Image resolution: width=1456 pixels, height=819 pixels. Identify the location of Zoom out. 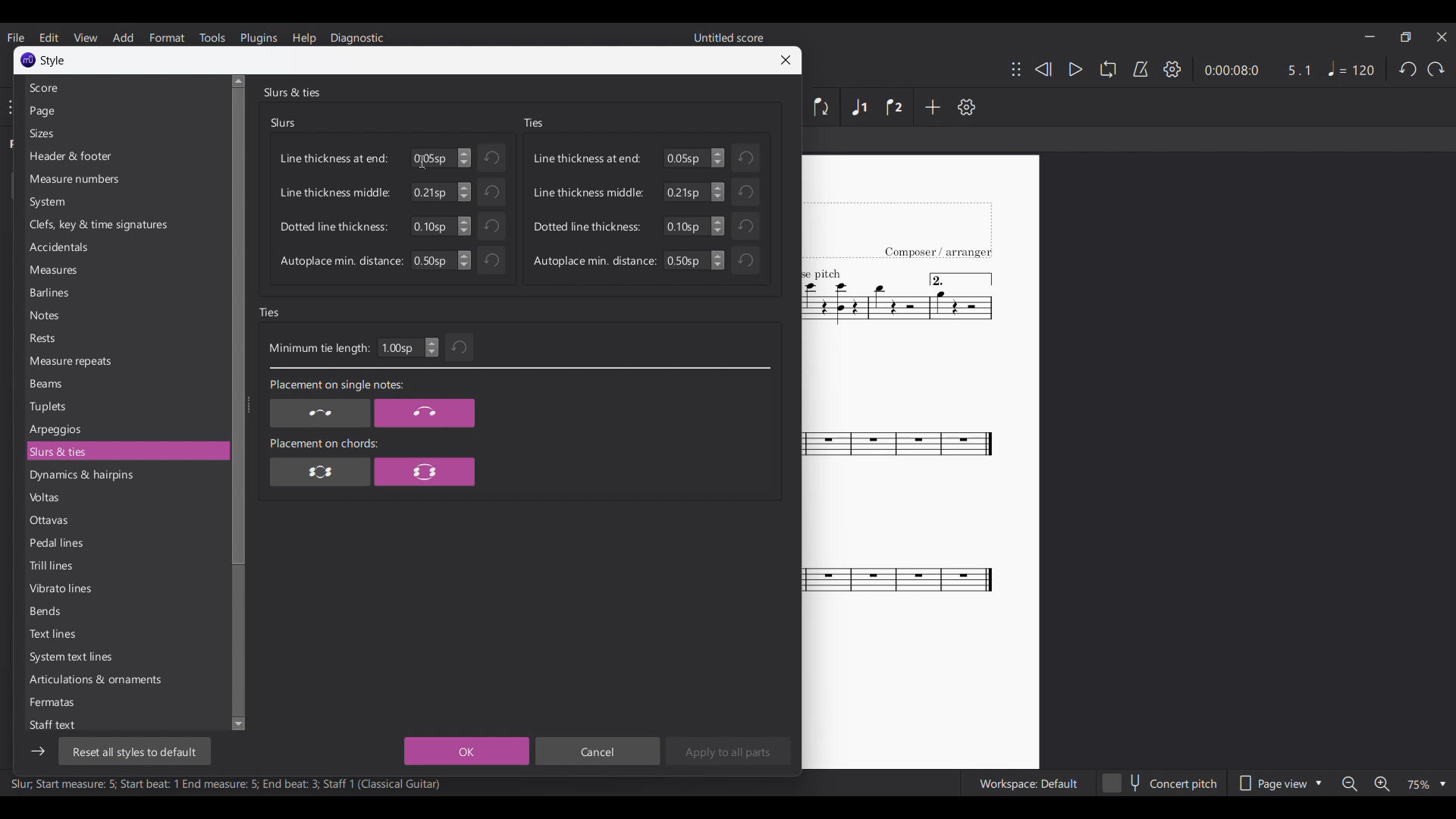
(1350, 783).